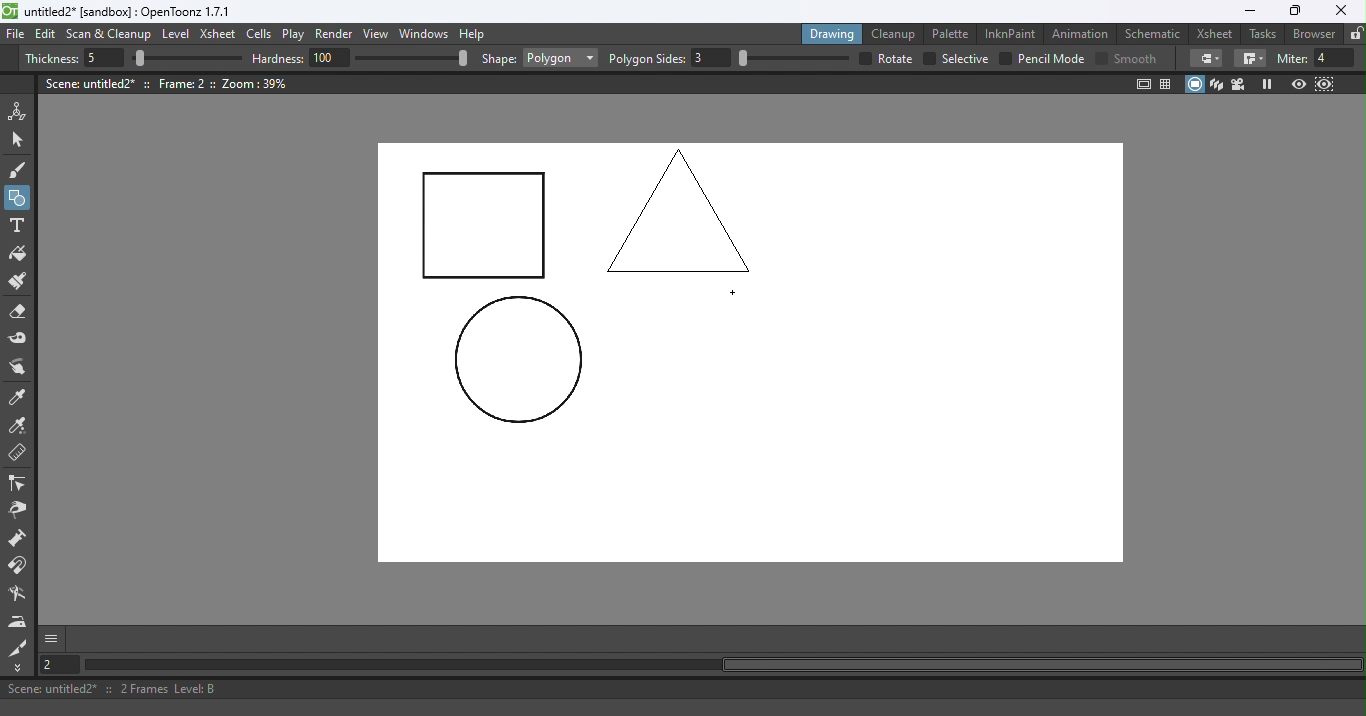  What do you see at coordinates (1267, 84) in the screenshot?
I see `Freeze` at bounding box center [1267, 84].